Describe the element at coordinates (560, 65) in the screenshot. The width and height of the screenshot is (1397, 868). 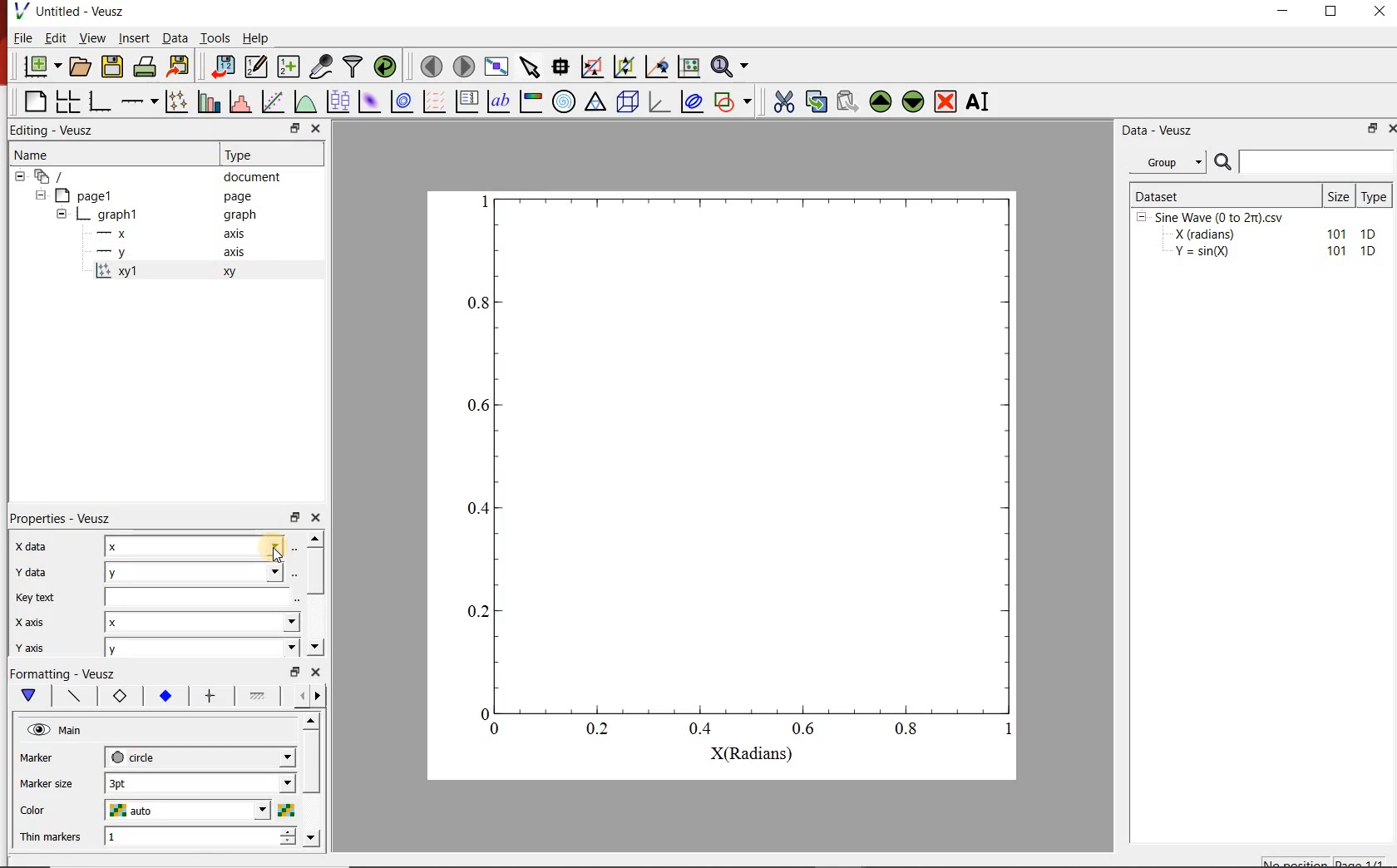
I see `read data points` at that location.